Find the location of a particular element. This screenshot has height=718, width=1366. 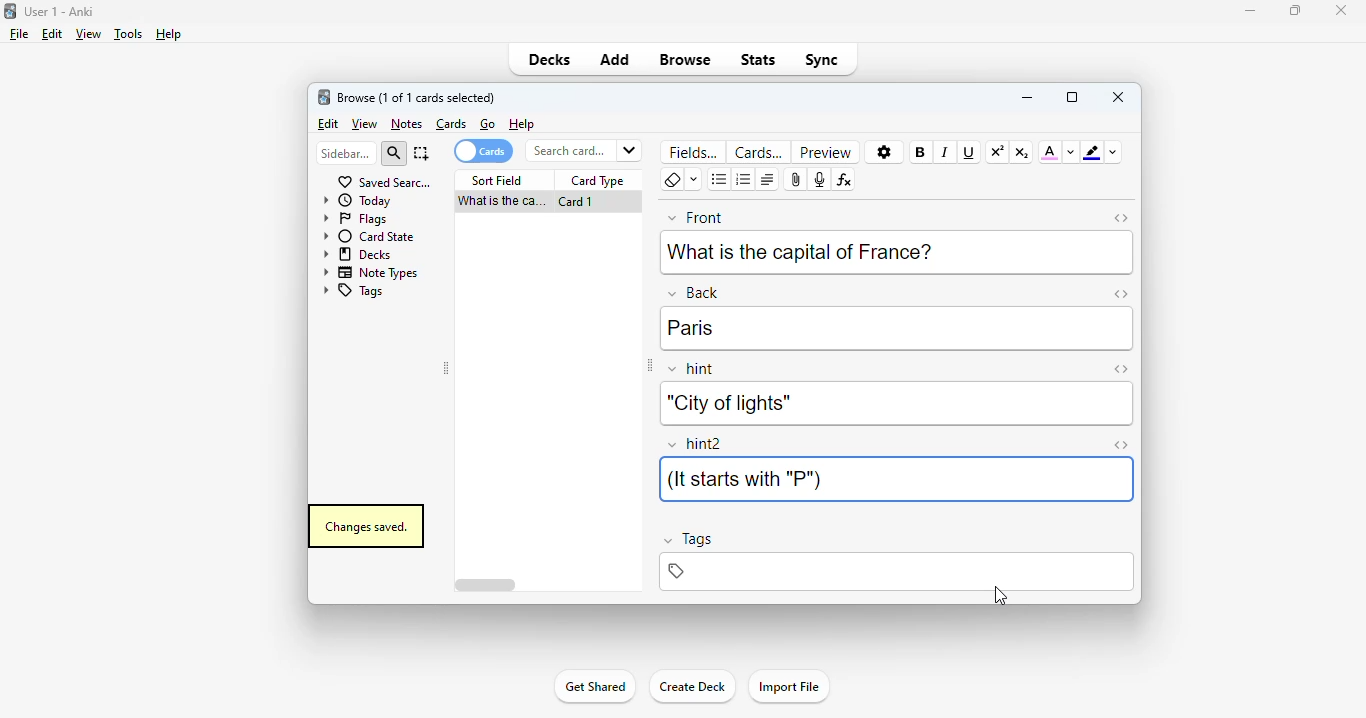

import file is located at coordinates (788, 687).